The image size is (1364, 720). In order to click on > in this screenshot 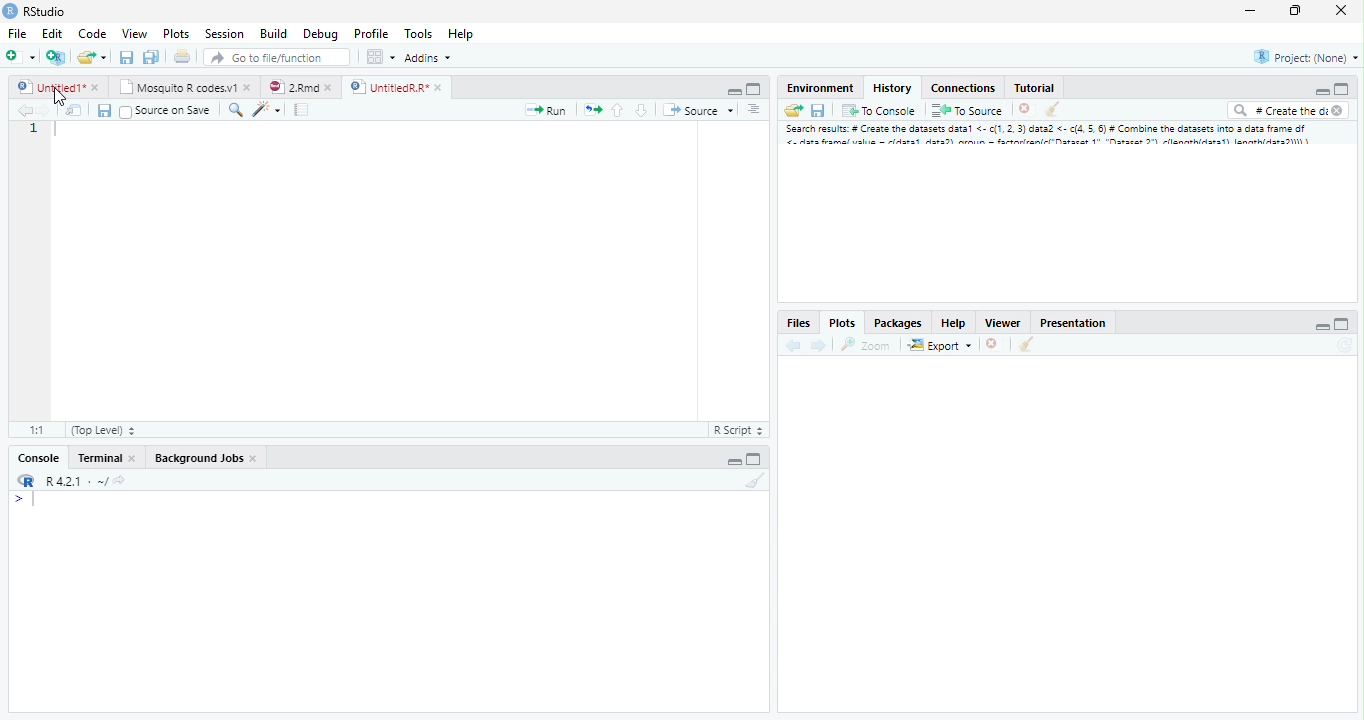, I will do `click(15, 501)`.